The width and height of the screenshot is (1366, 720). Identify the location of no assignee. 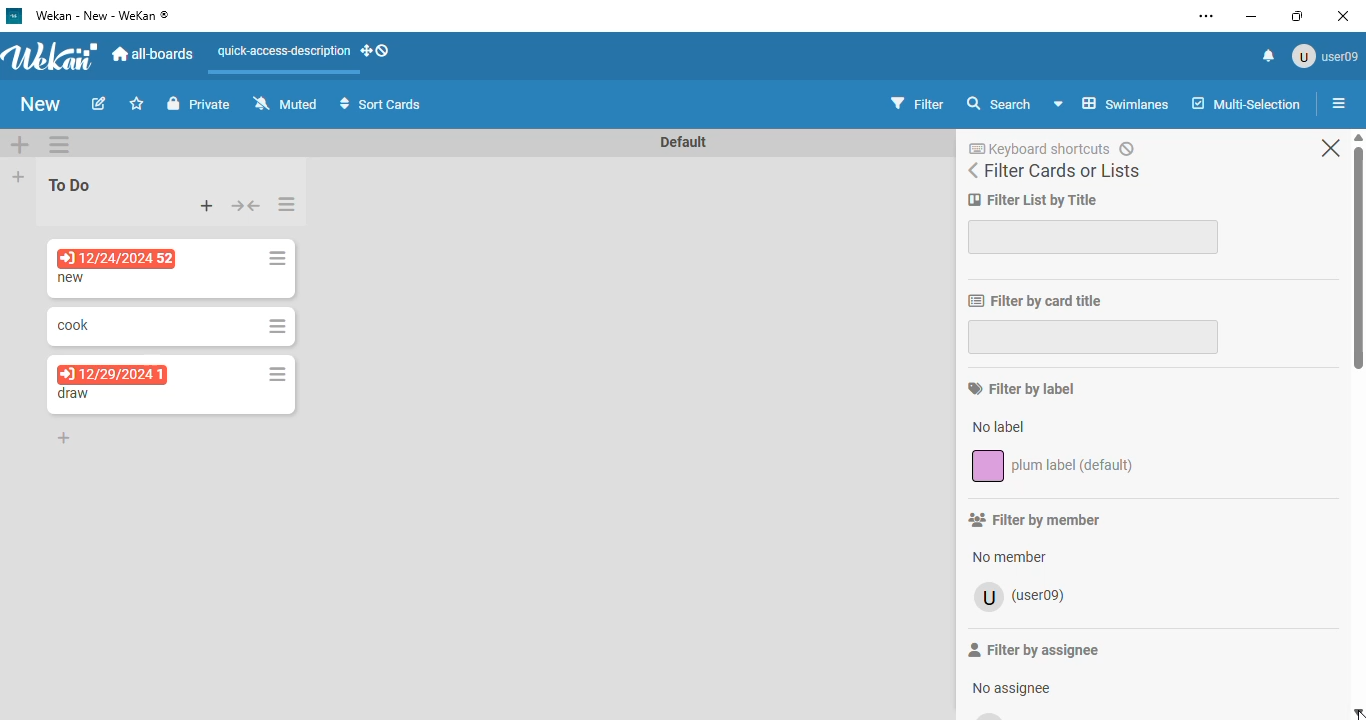
(1009, 686).